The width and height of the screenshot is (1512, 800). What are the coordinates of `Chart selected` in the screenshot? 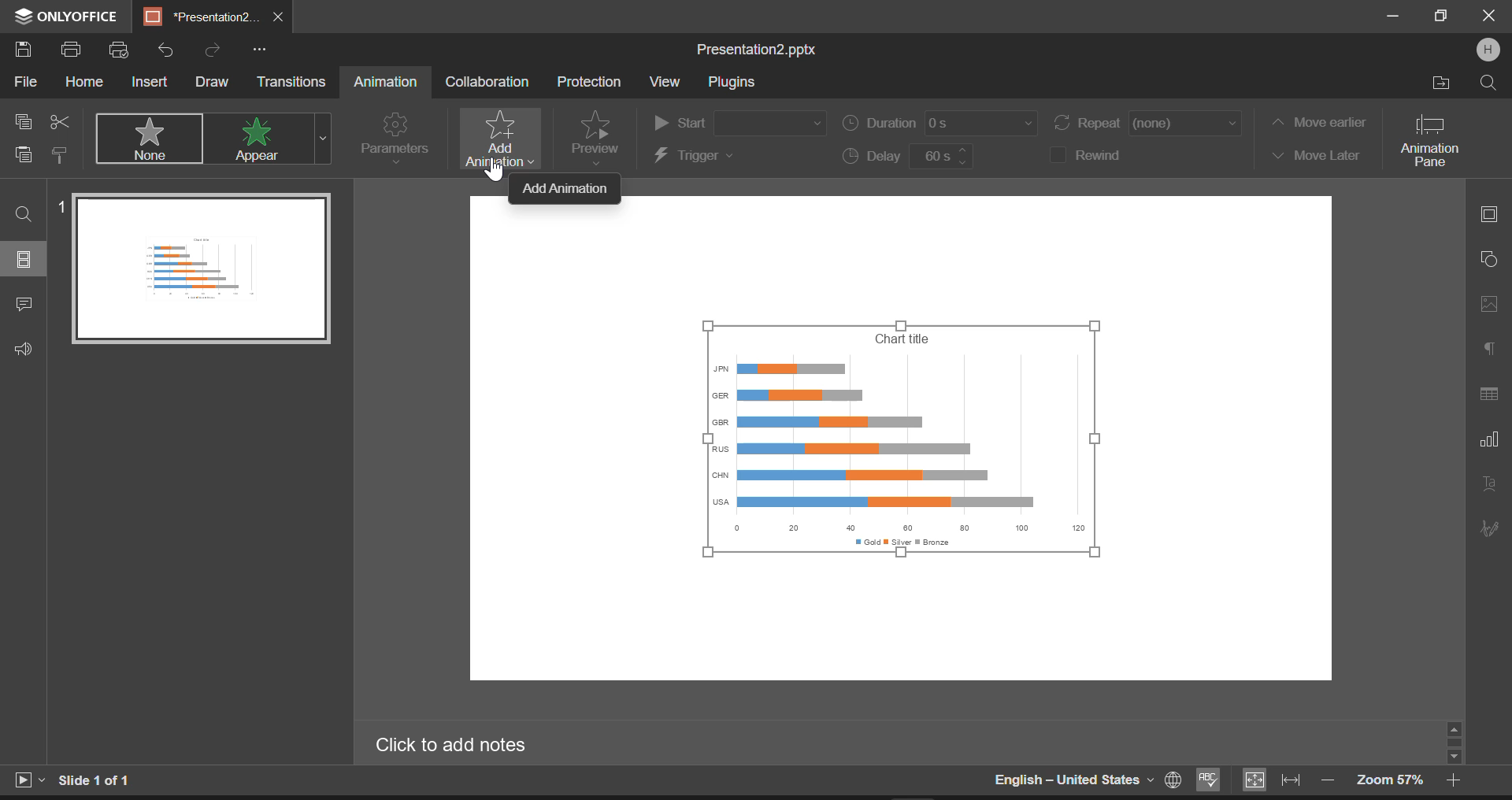 It's located at (911, 443).